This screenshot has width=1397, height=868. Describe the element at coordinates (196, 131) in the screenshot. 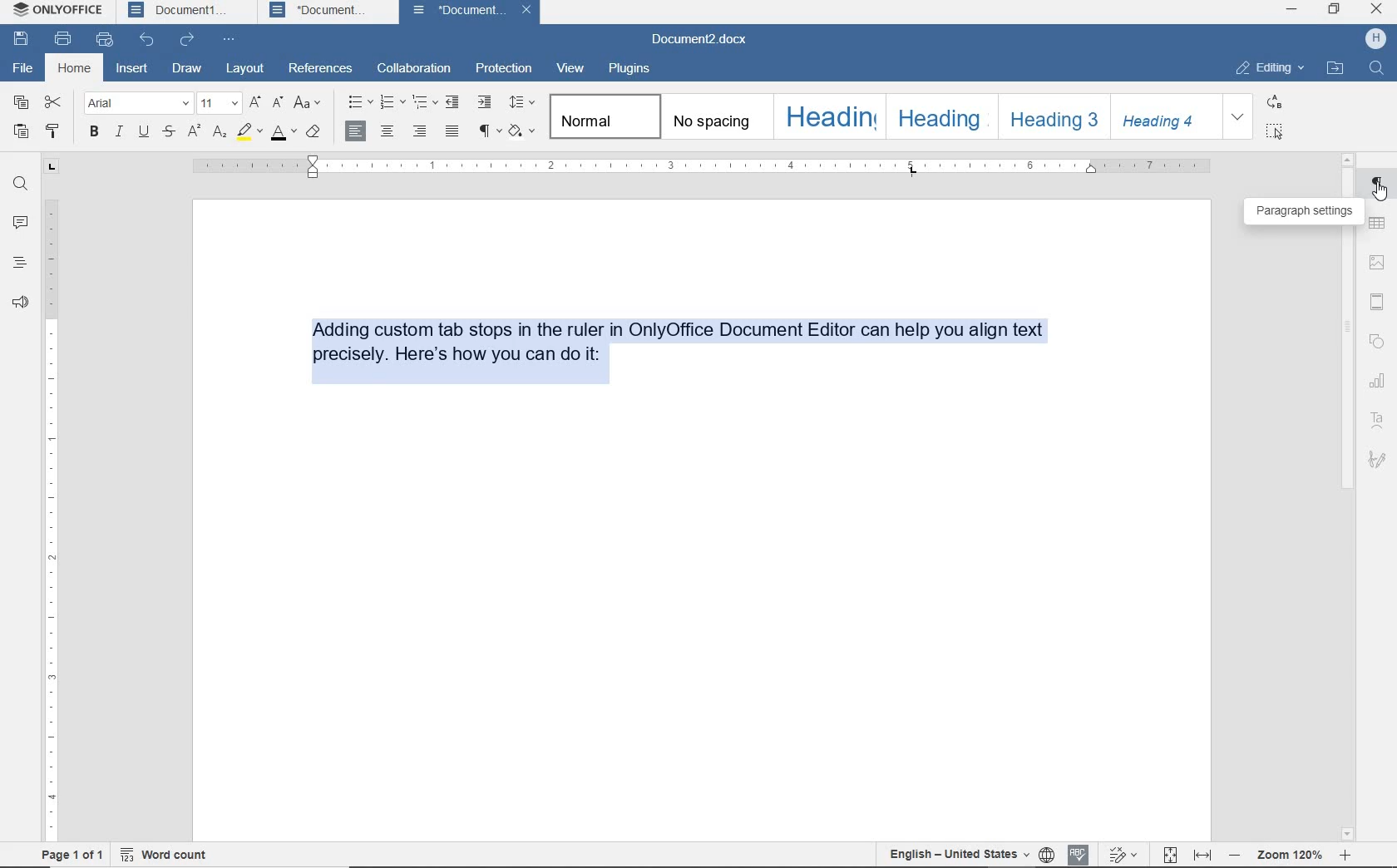

I see `superscript` at that location.